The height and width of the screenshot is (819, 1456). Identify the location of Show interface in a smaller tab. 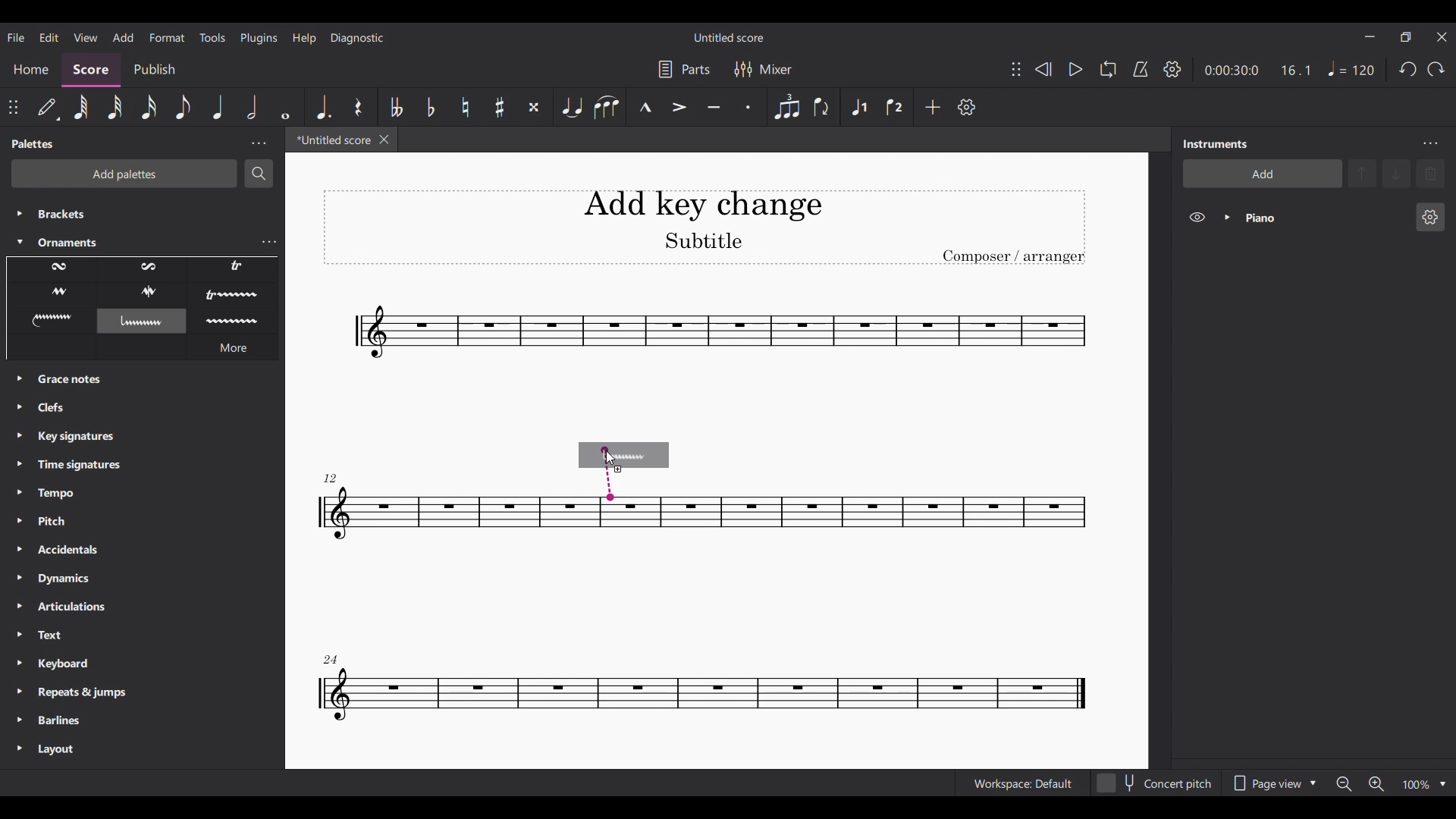
(1406, 36).